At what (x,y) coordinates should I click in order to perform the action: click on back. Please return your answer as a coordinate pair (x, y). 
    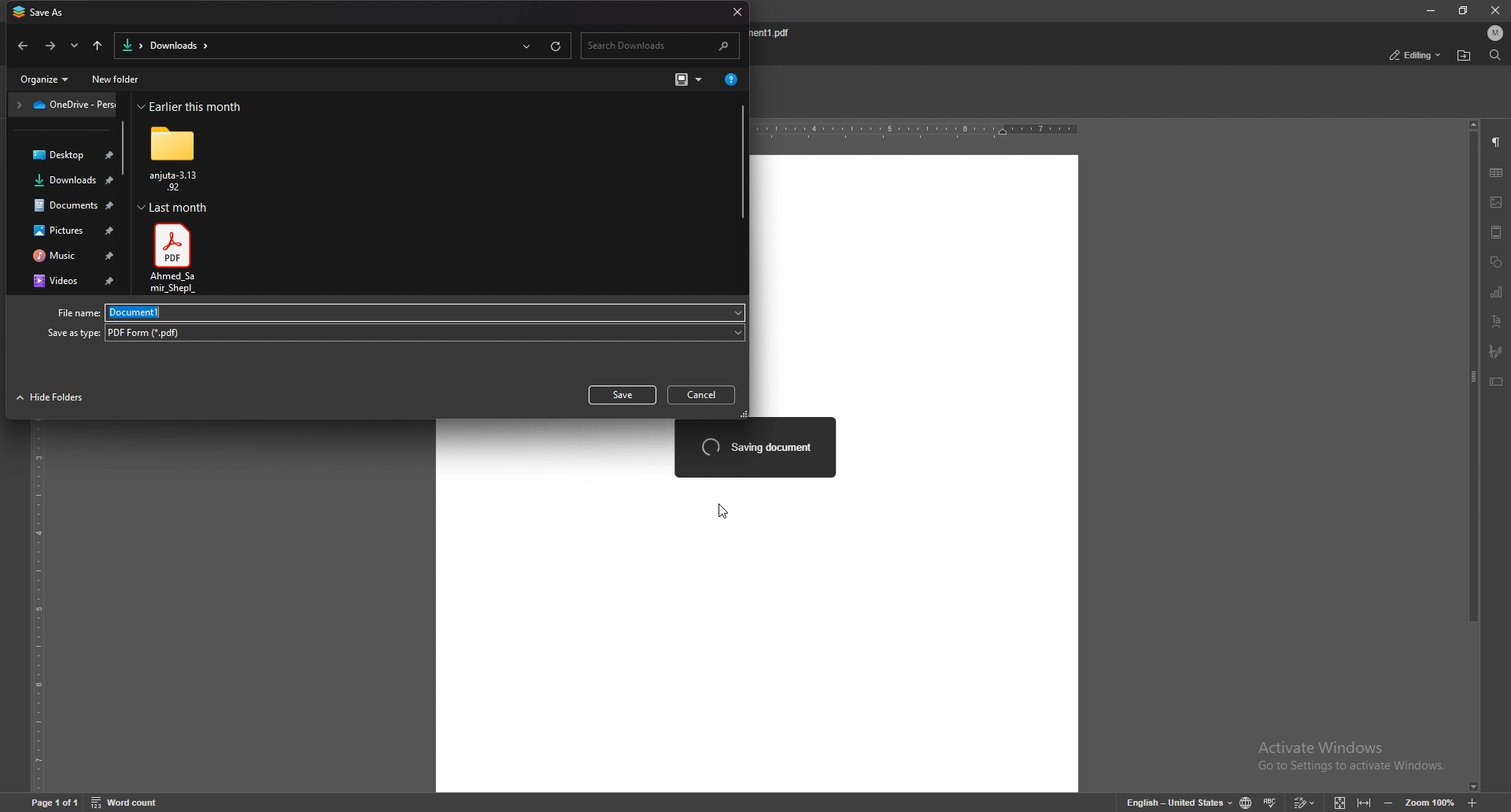
    Looking at the image, I should click on (25, 46).